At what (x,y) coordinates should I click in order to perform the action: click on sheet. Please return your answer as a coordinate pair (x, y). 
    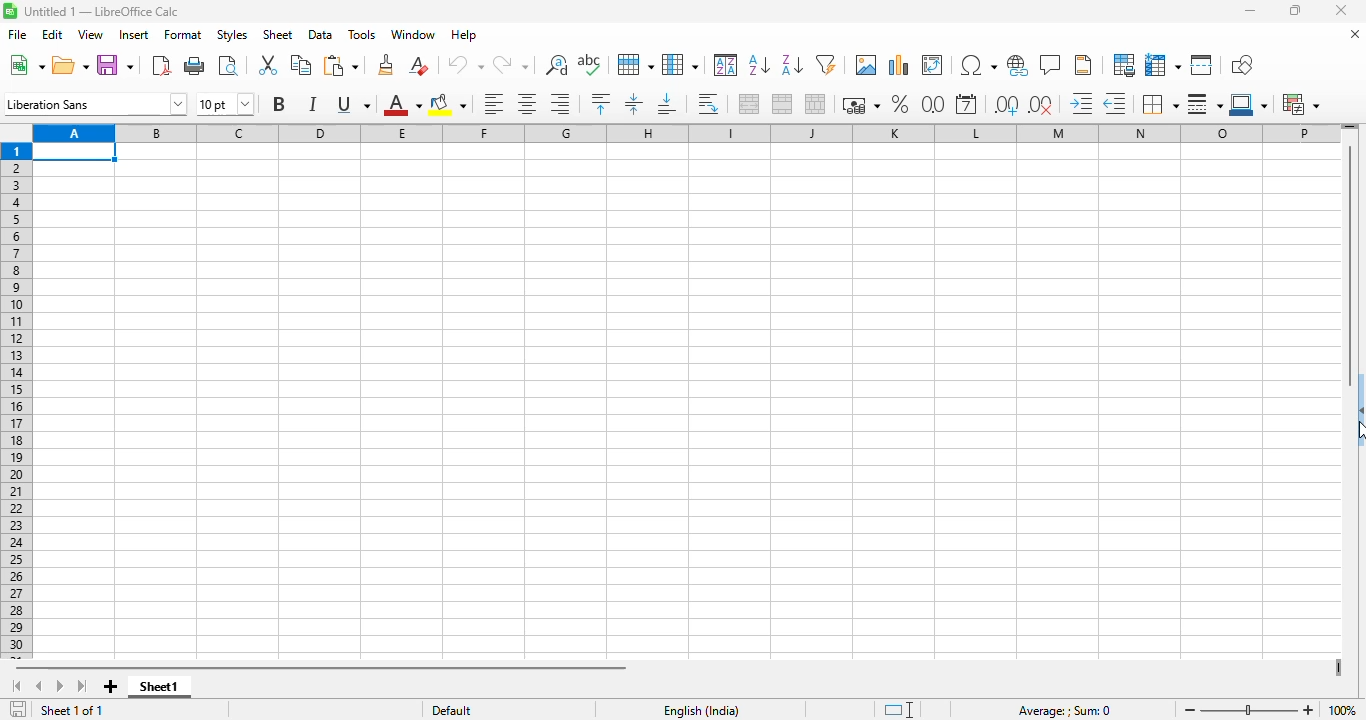
    Looking at the image, I should click on (277, 35).